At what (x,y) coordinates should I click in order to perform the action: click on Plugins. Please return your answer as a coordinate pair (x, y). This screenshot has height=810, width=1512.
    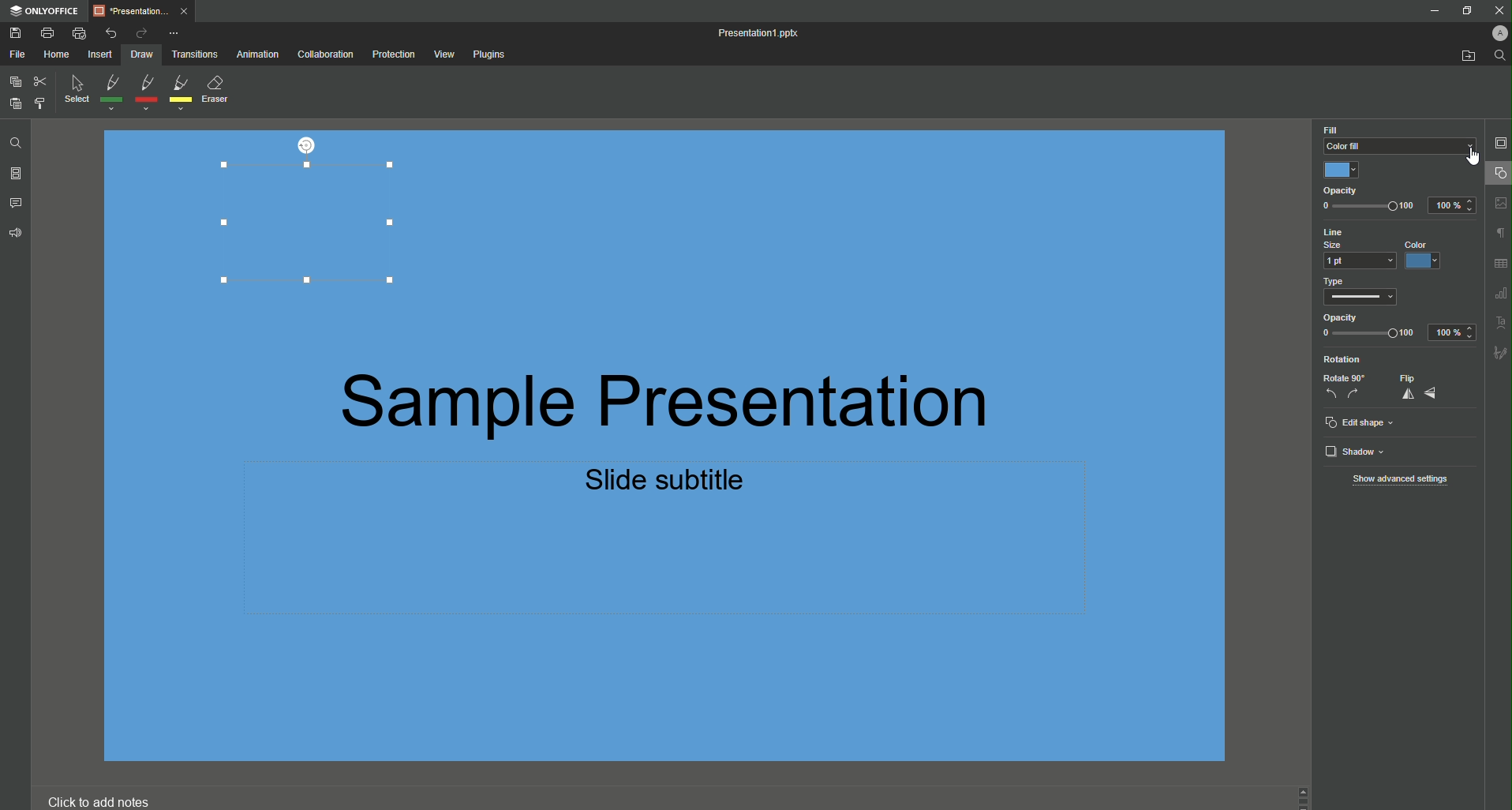
    Looking at the image, I should click on (492, 55).